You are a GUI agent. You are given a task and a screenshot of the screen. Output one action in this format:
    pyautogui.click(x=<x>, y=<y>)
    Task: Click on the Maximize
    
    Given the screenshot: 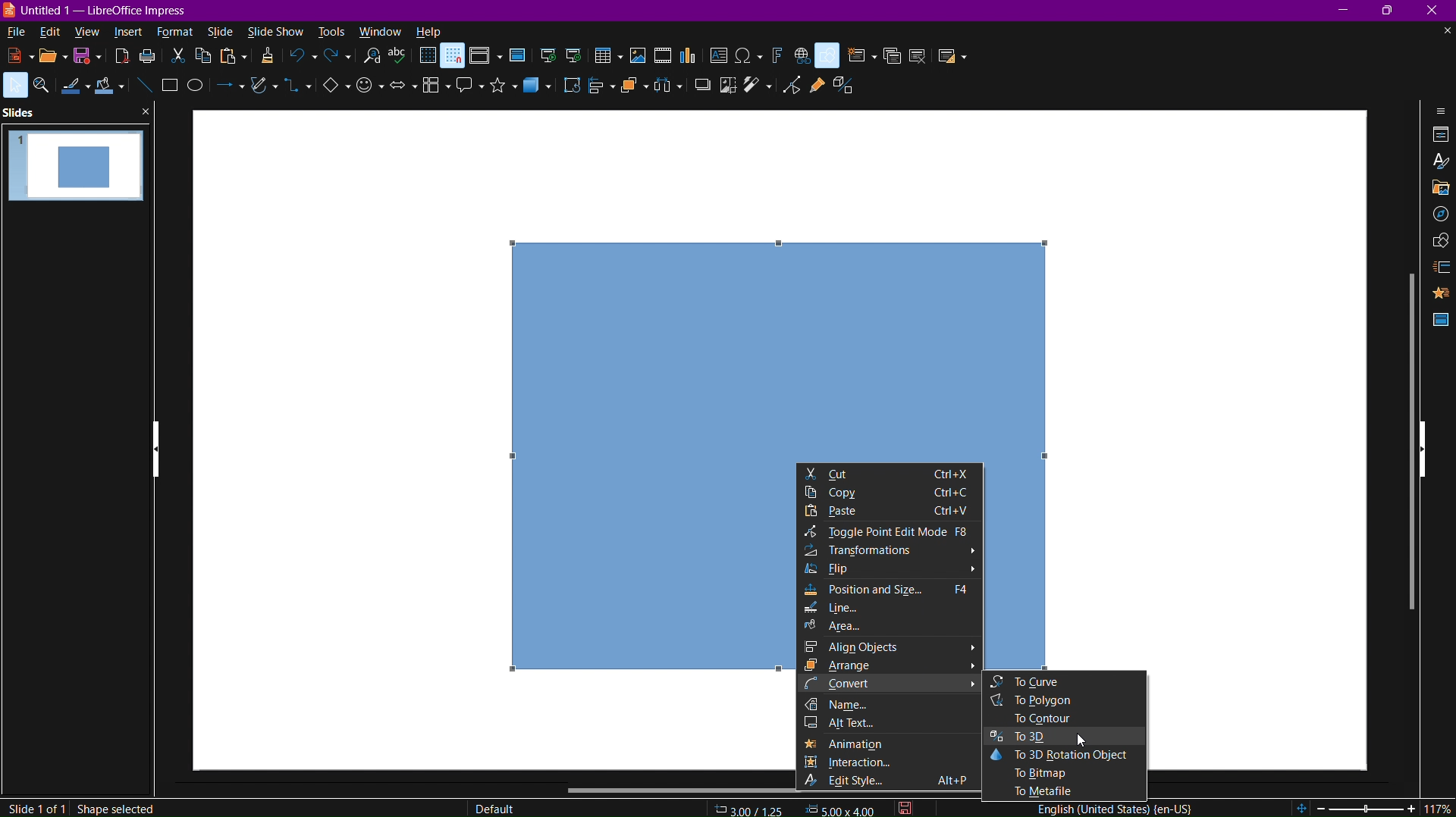 What is the action you would take?
    pyautogui.click(x=1393, y=11)
    